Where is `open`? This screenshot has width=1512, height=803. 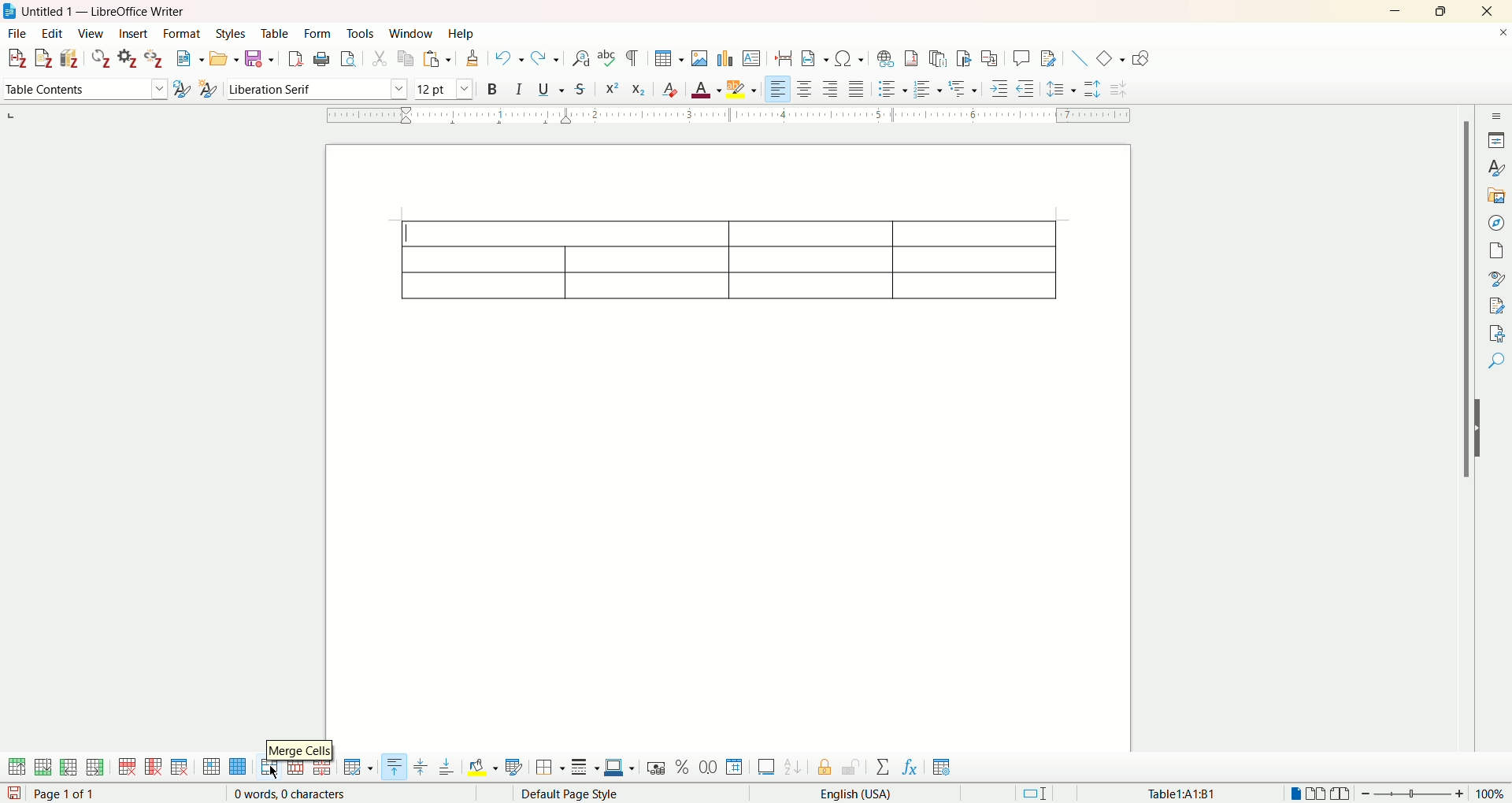
open is located at coordinates (221, 60).